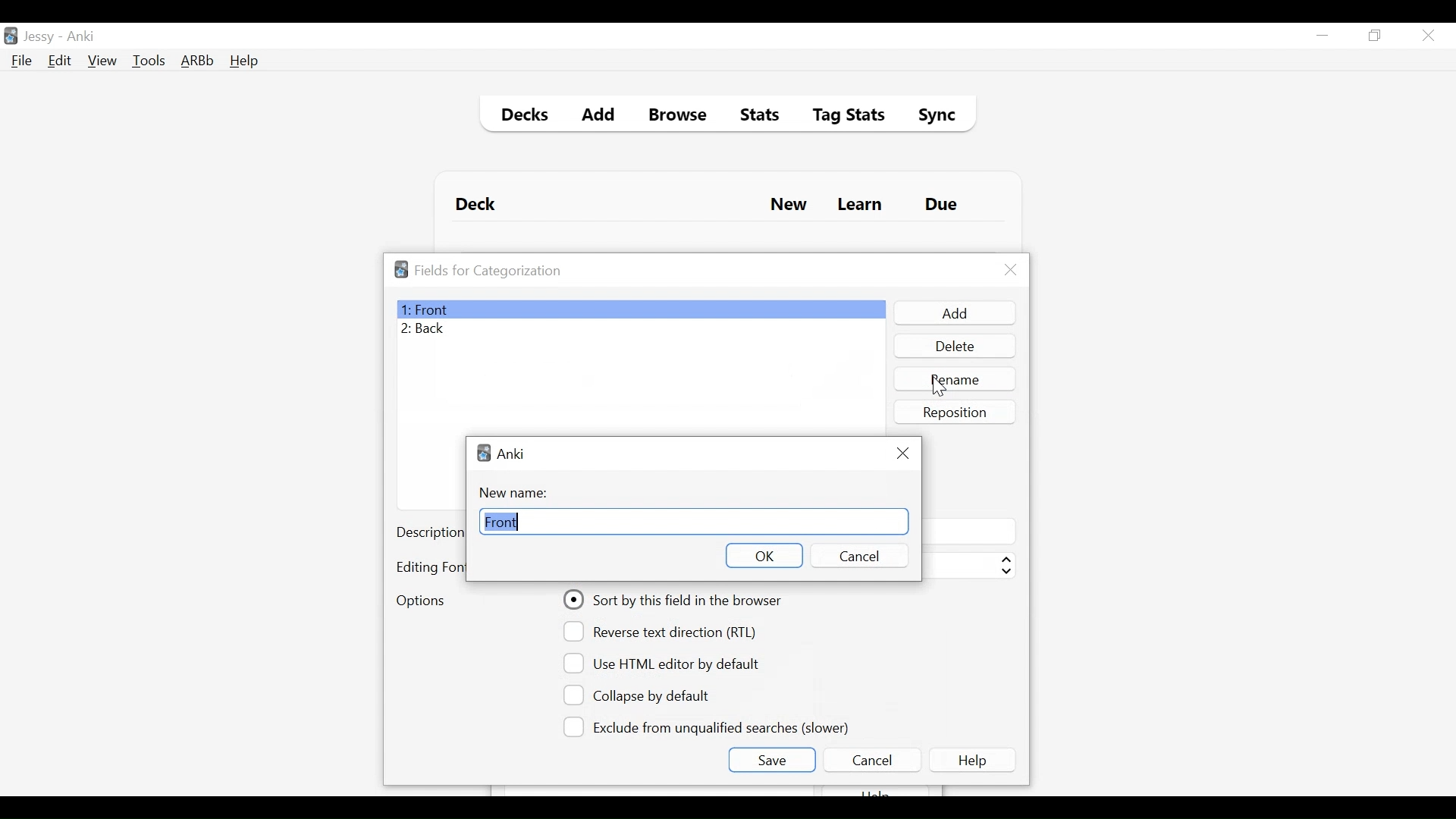  What do you see at coordinates (1428, 36) in the screenshot?
I see `Close` at bounding box center [1428, 36].